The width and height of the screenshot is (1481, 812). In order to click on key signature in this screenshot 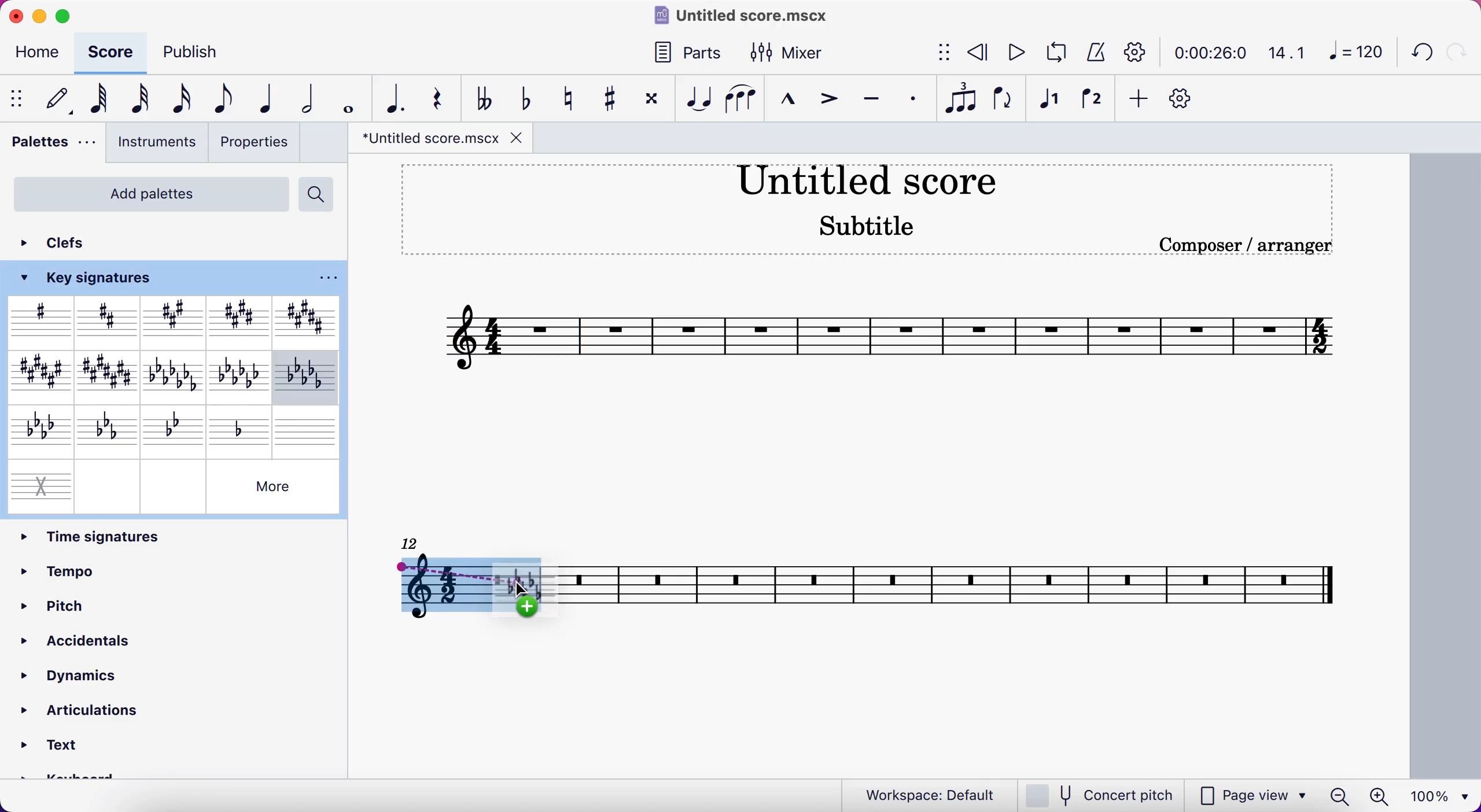, I will do `click(96, 278)`.